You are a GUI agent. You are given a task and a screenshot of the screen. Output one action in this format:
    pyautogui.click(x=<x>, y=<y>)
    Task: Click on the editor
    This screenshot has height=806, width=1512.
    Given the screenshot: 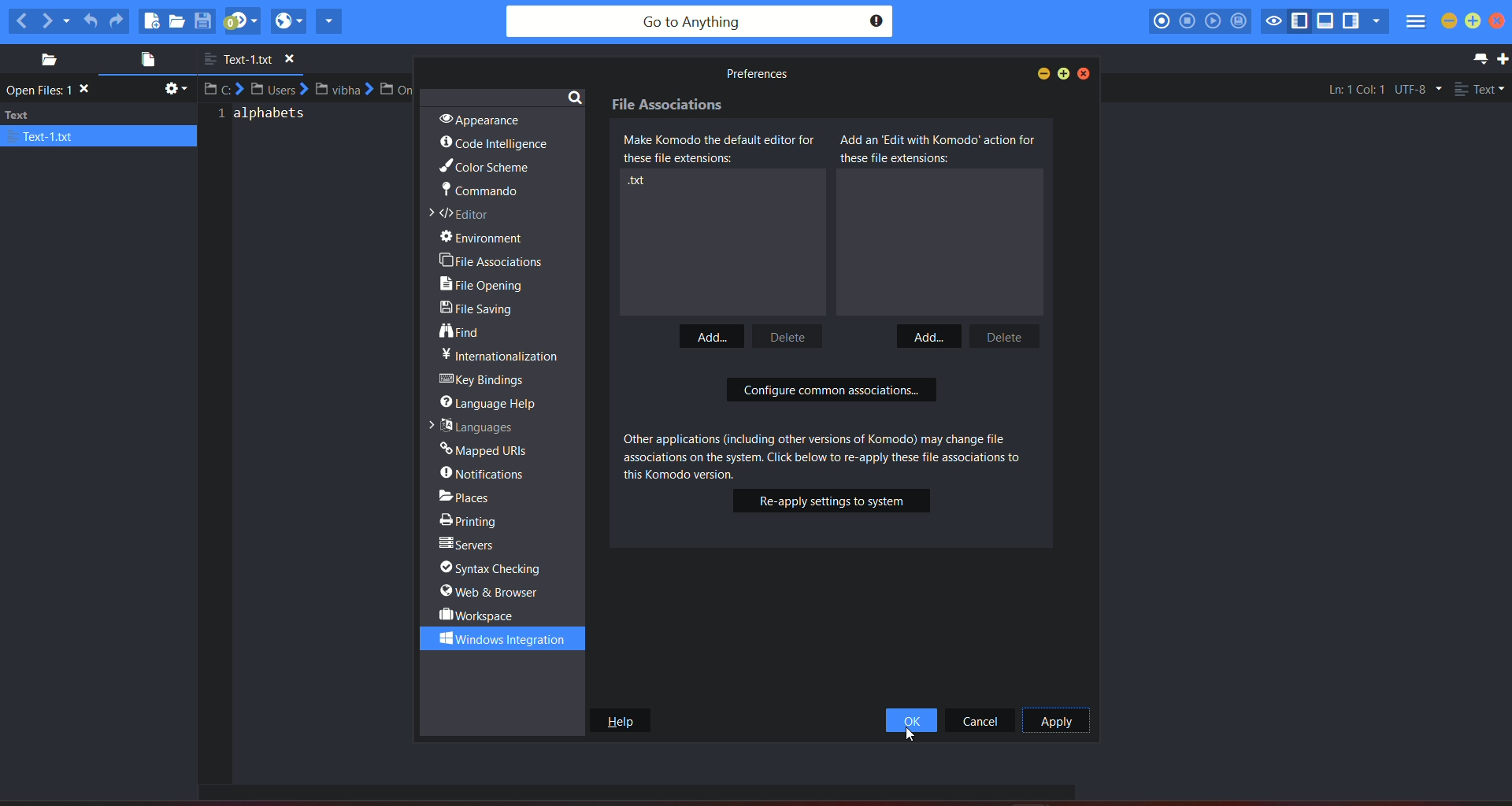 What is the action you would take?
    pyautogui.click(x=464, y=215)
    